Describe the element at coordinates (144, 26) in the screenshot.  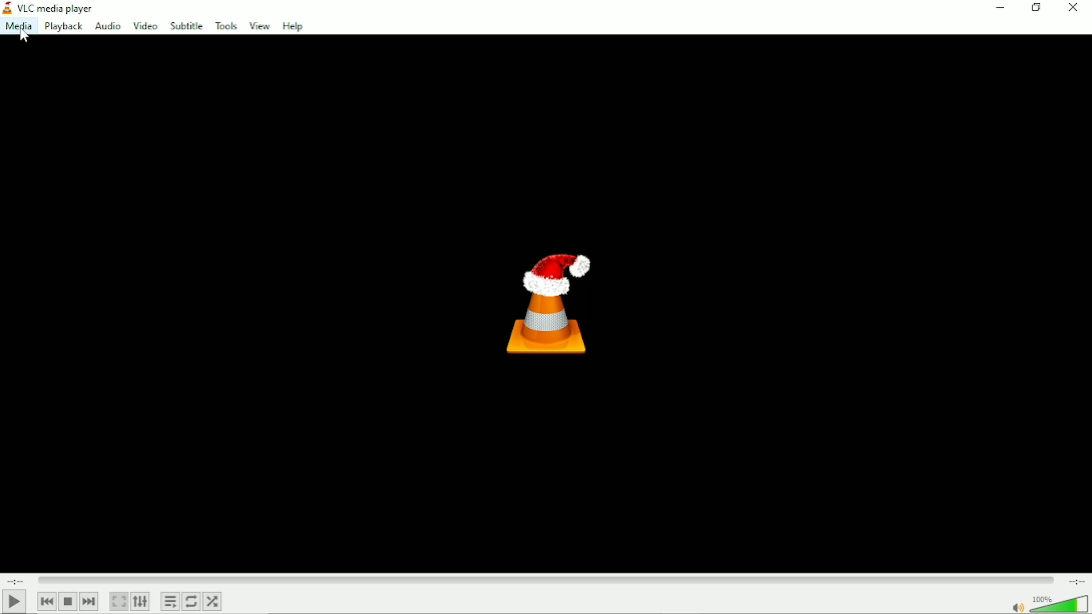
I see `Video` at that location.